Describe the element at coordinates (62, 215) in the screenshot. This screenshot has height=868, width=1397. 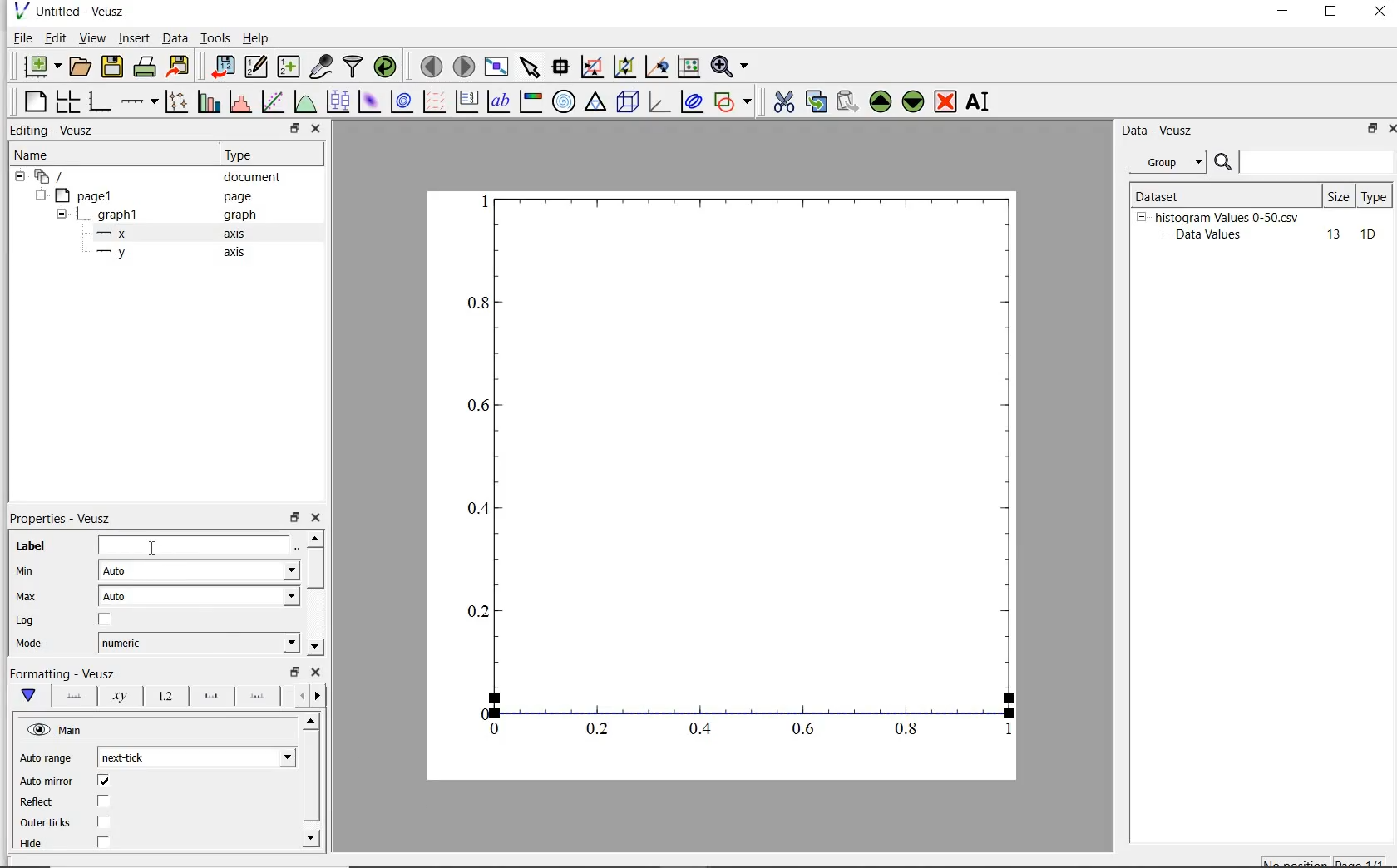
I see `hide` at that location.